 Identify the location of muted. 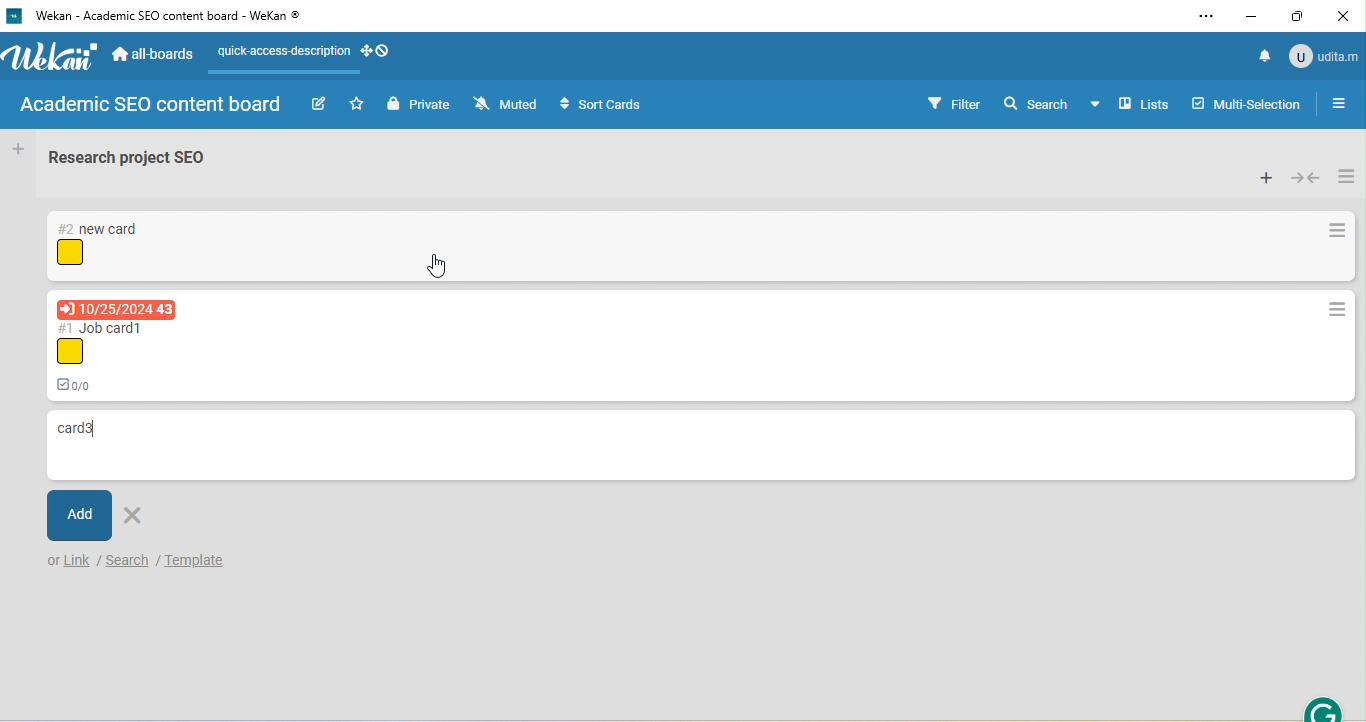
(508, 105).